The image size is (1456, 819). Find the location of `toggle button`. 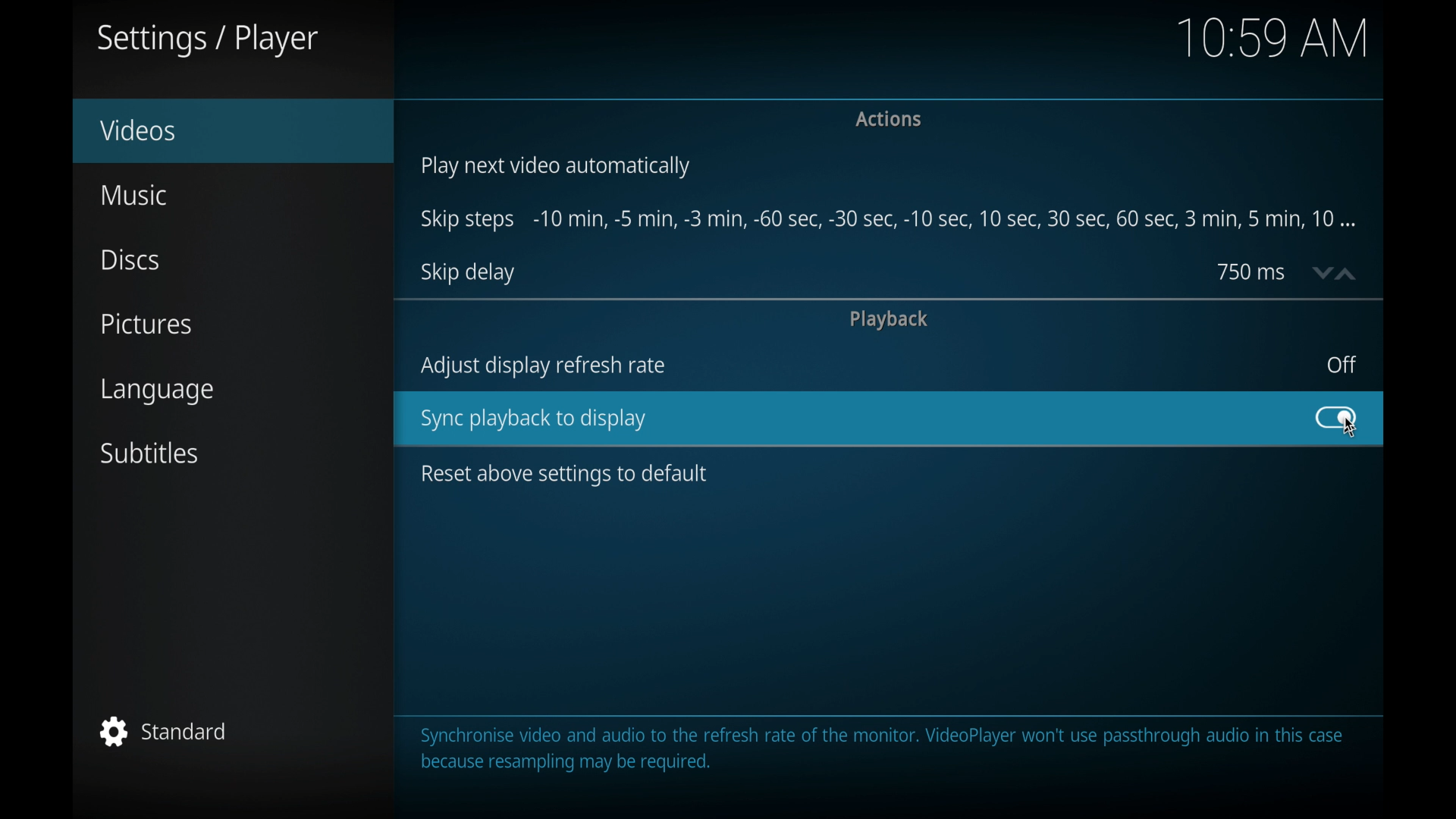

toggle button is located at coordinates (1338, 418).